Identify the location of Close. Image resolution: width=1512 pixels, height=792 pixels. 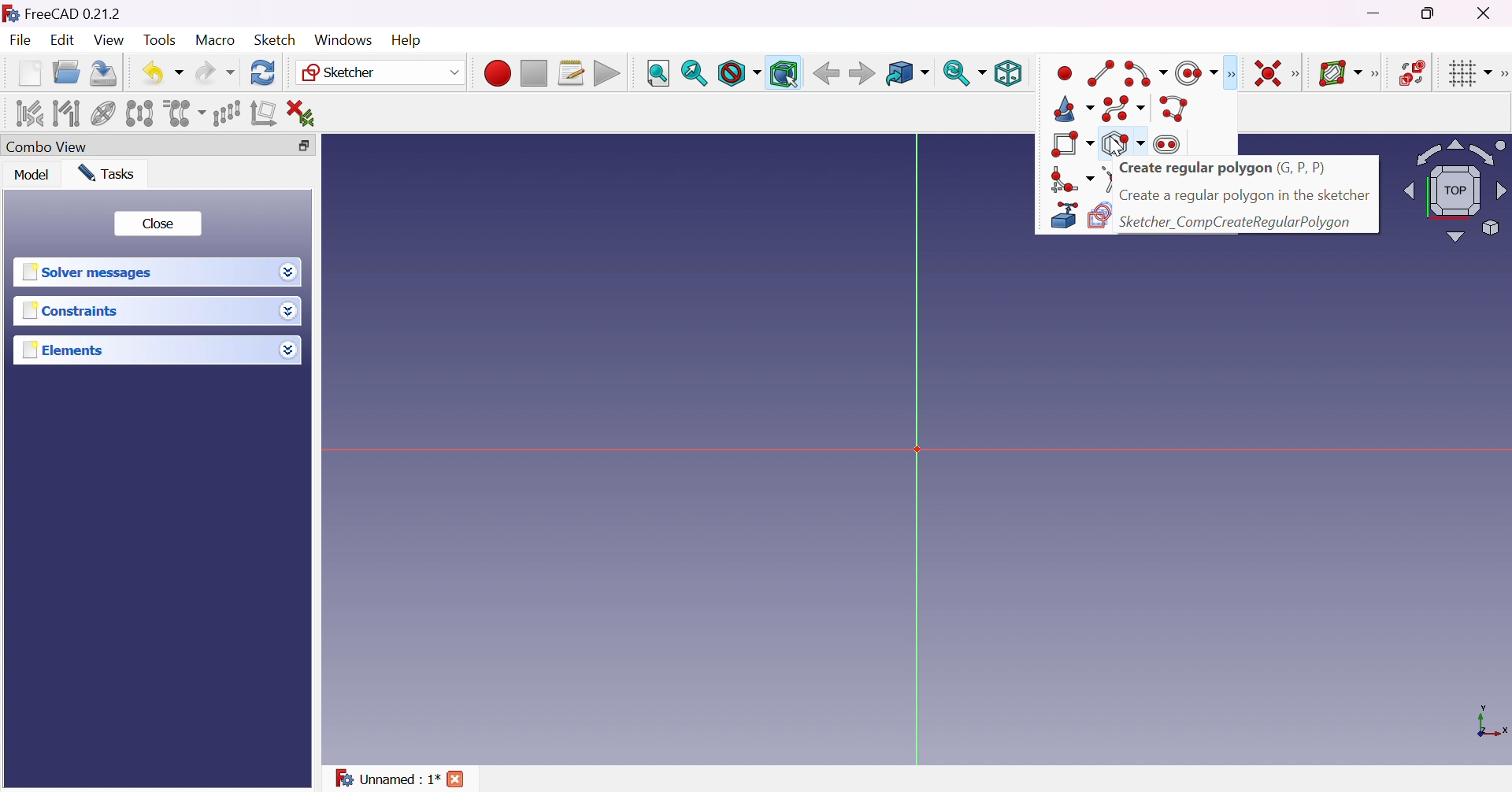
(157, 224).